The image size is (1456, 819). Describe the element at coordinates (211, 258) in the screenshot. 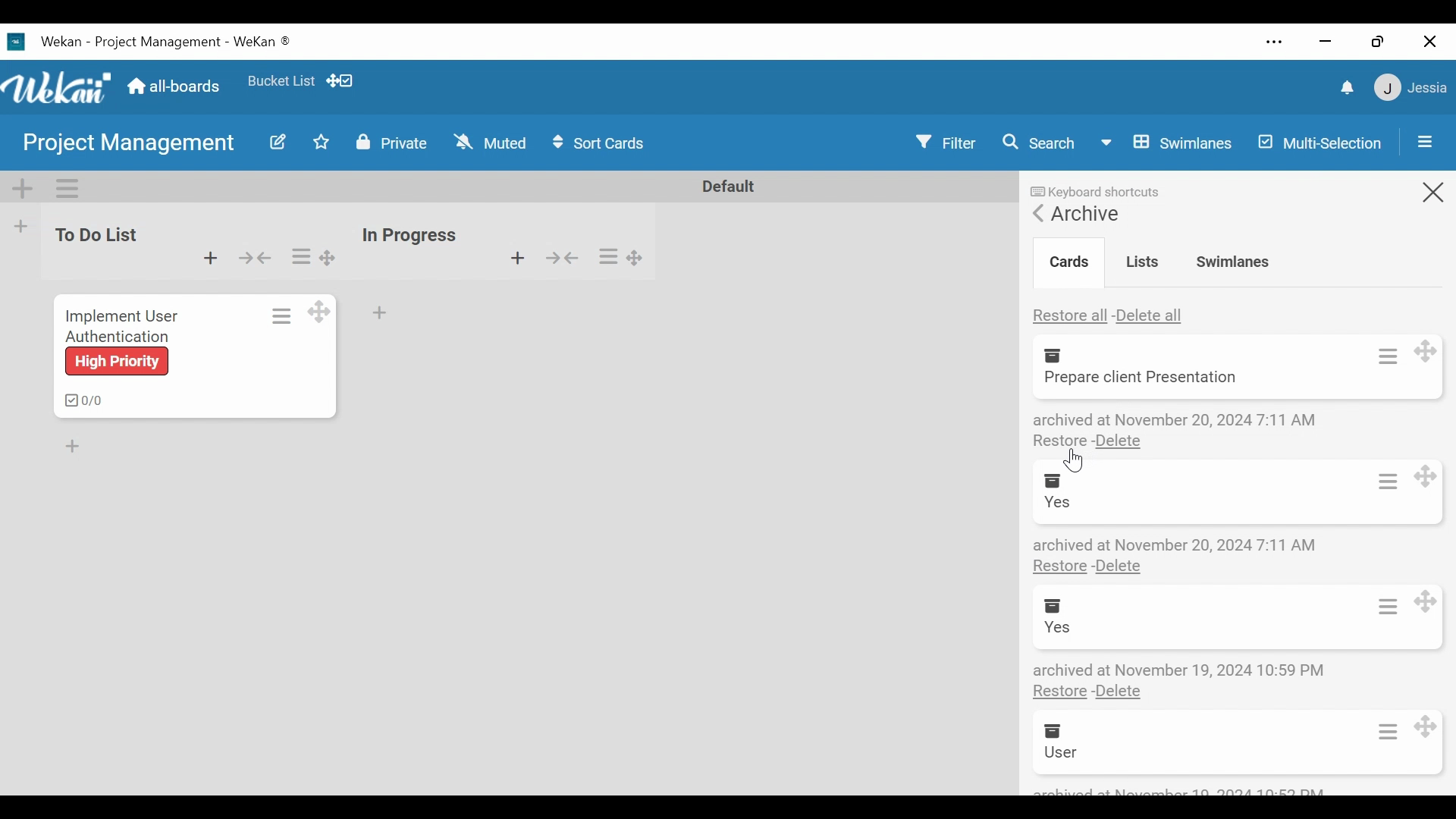

I see `Add Card to top of the list` at that location.